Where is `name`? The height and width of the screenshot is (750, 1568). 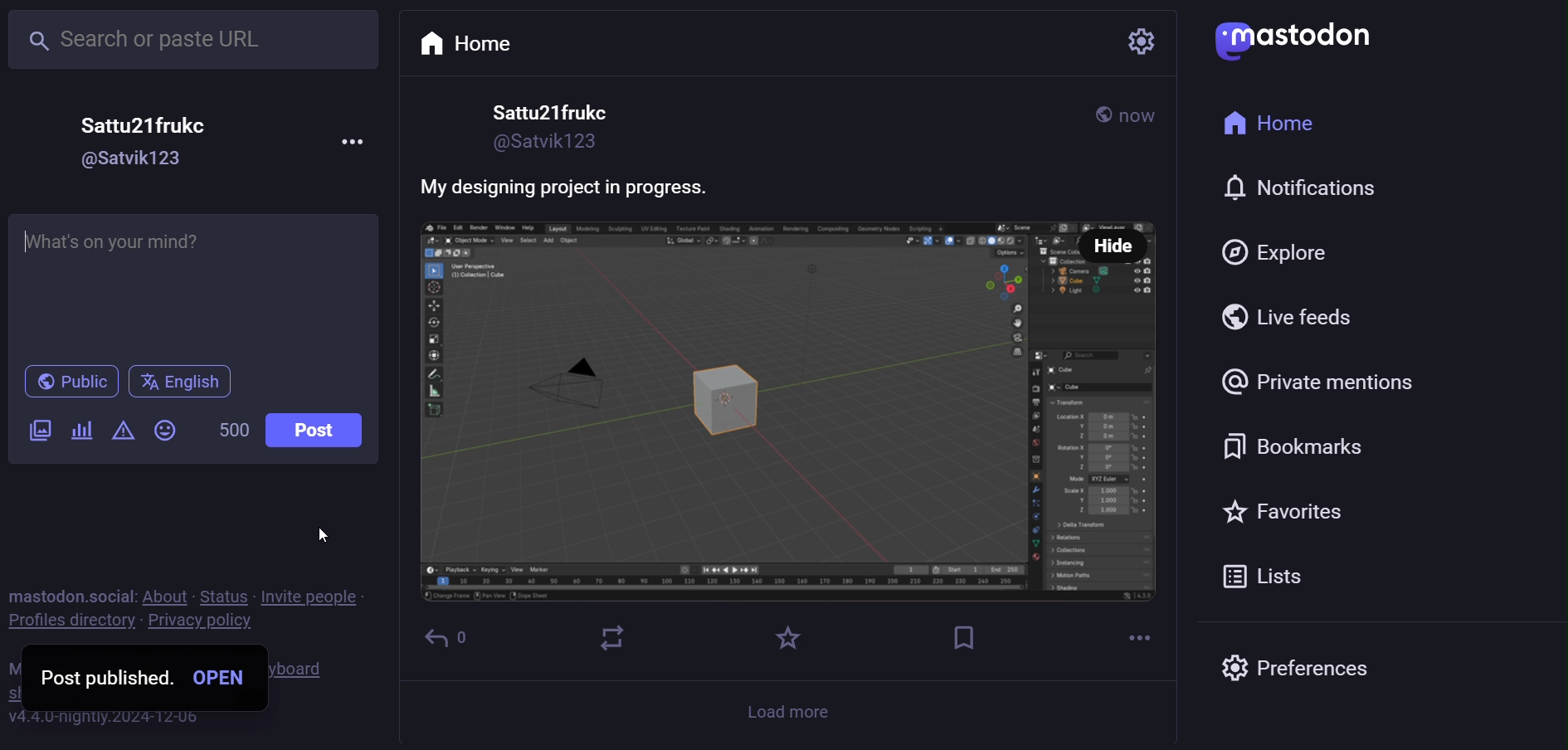 name is located at coordinates (144, 124).